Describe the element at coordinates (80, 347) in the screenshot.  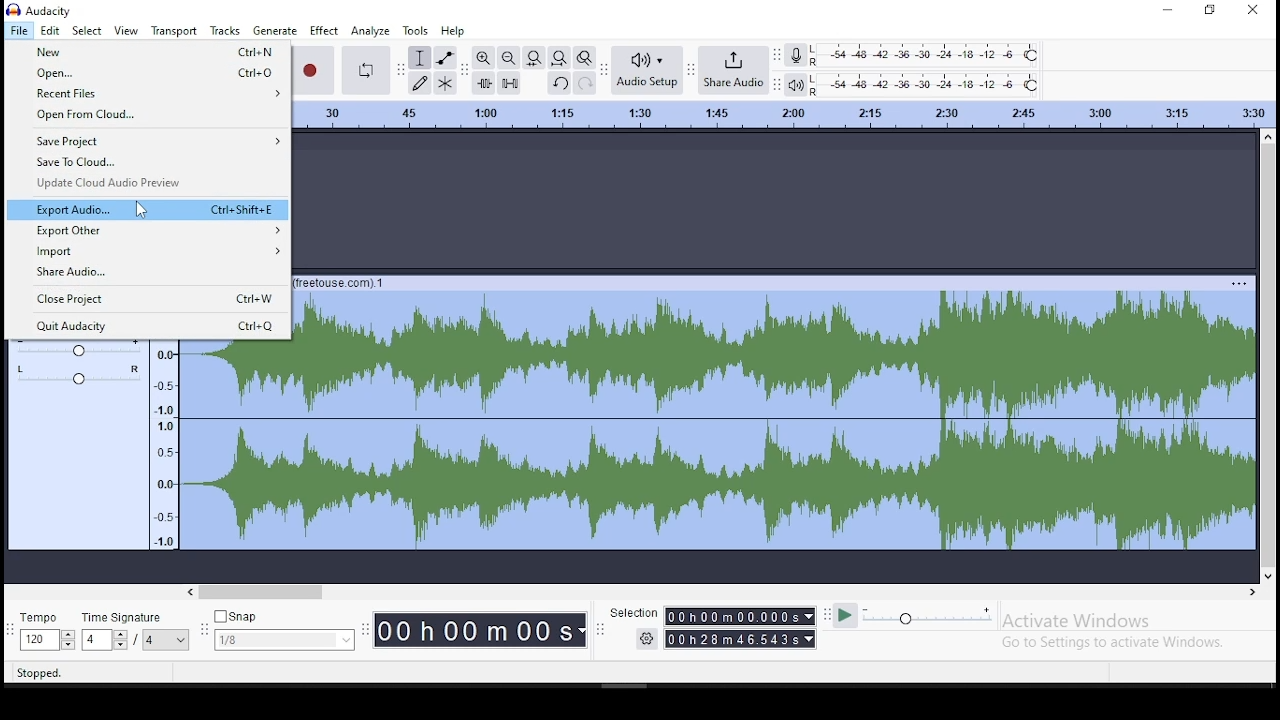
I see `volume` at that location.